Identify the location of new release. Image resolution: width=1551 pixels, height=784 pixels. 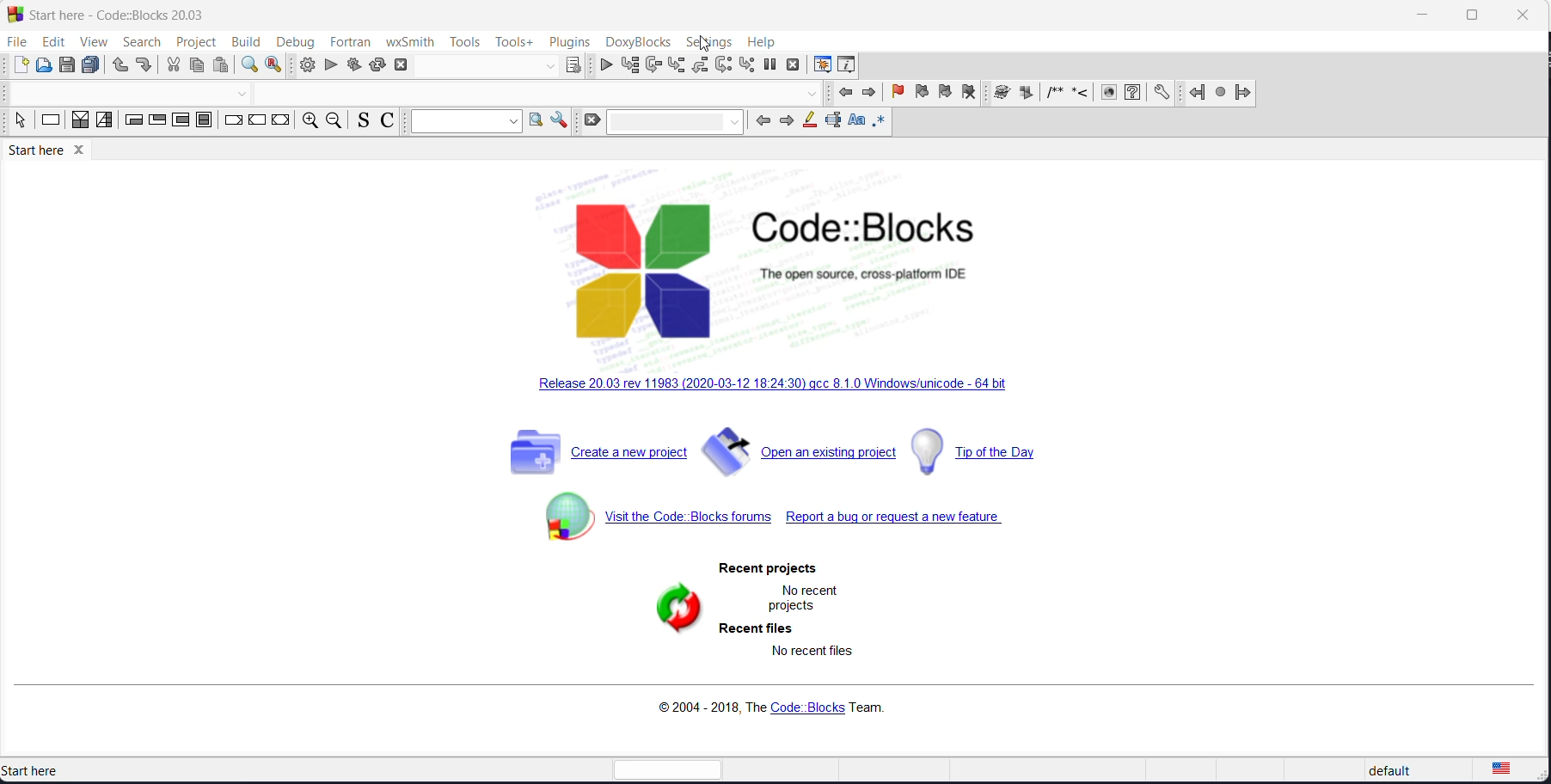
(777, 391).